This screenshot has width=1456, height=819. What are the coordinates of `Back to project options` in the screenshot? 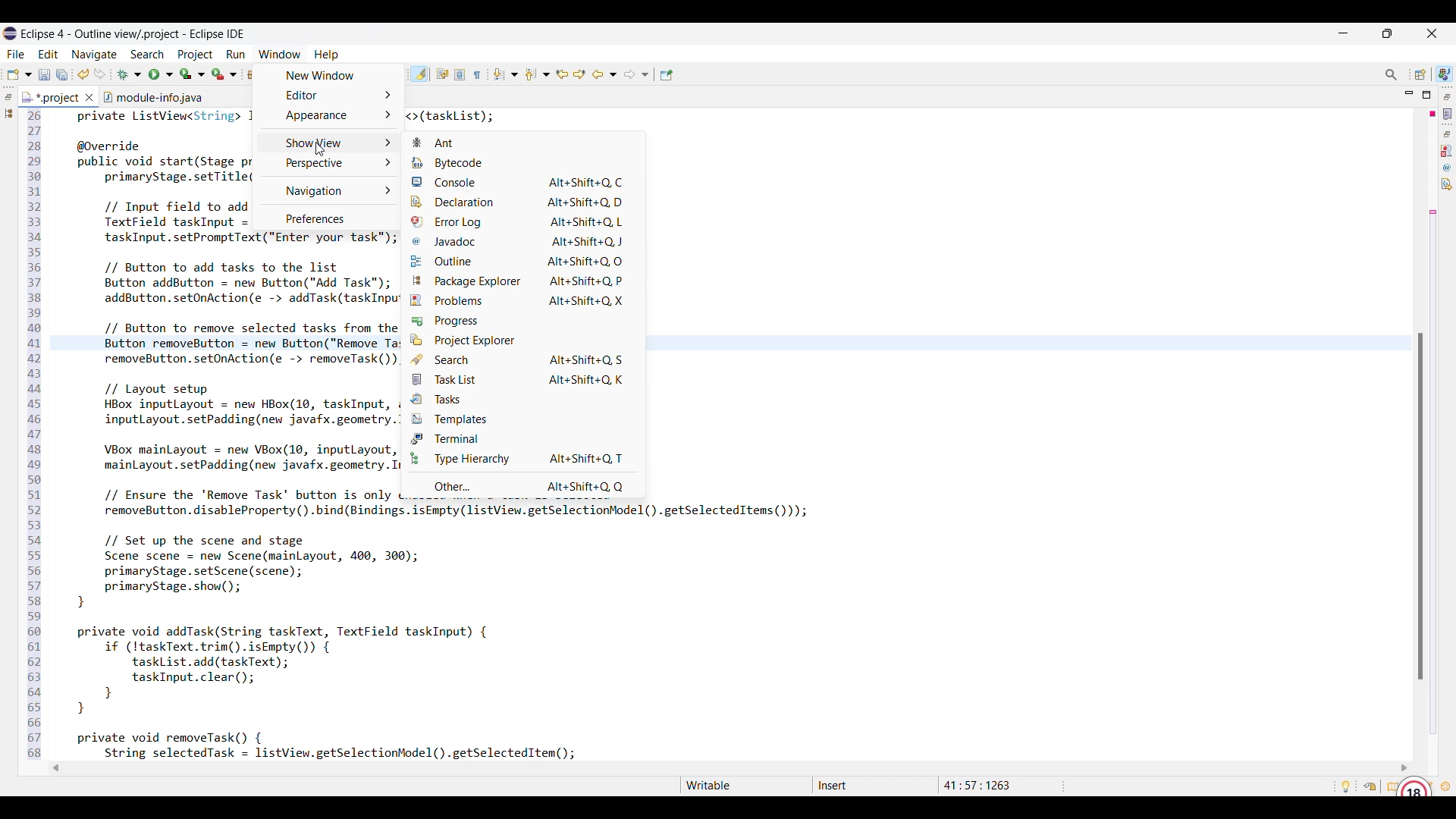 It's located at (604, 74).